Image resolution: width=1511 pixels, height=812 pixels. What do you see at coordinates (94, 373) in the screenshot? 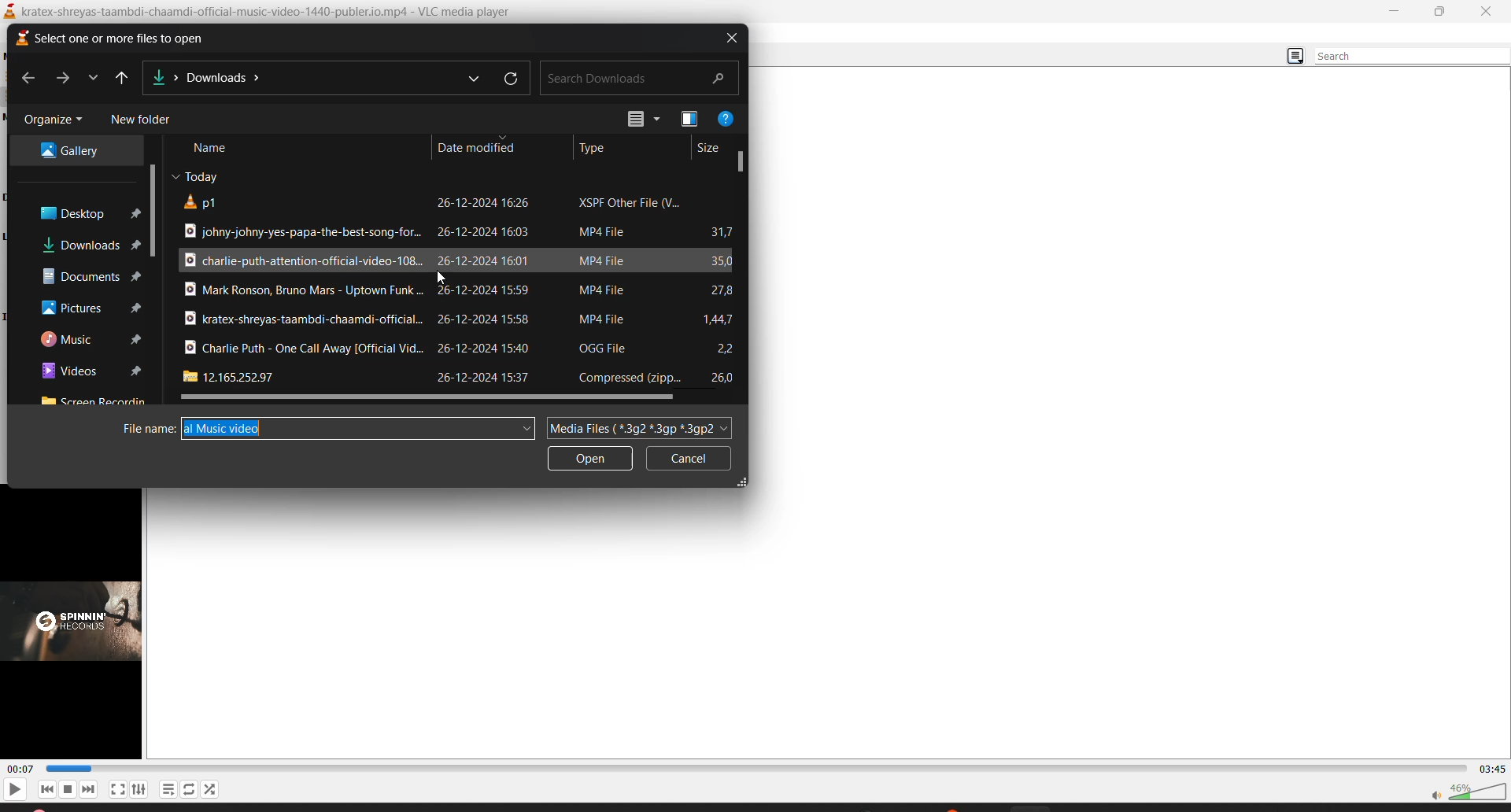
I see `videos` at bounding box center [94, 373].